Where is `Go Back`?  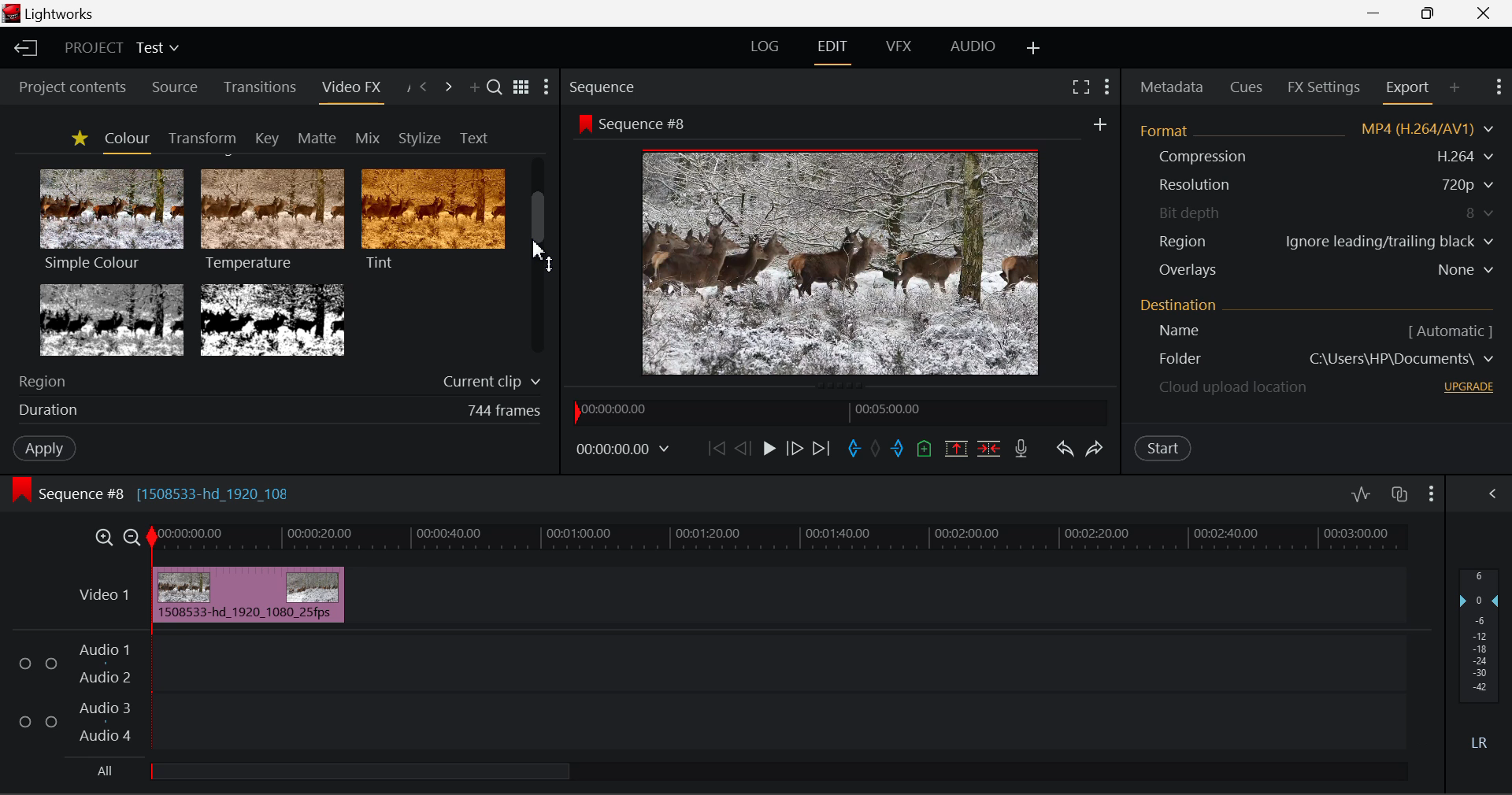
Go Back is located at coordinates (743, 449).